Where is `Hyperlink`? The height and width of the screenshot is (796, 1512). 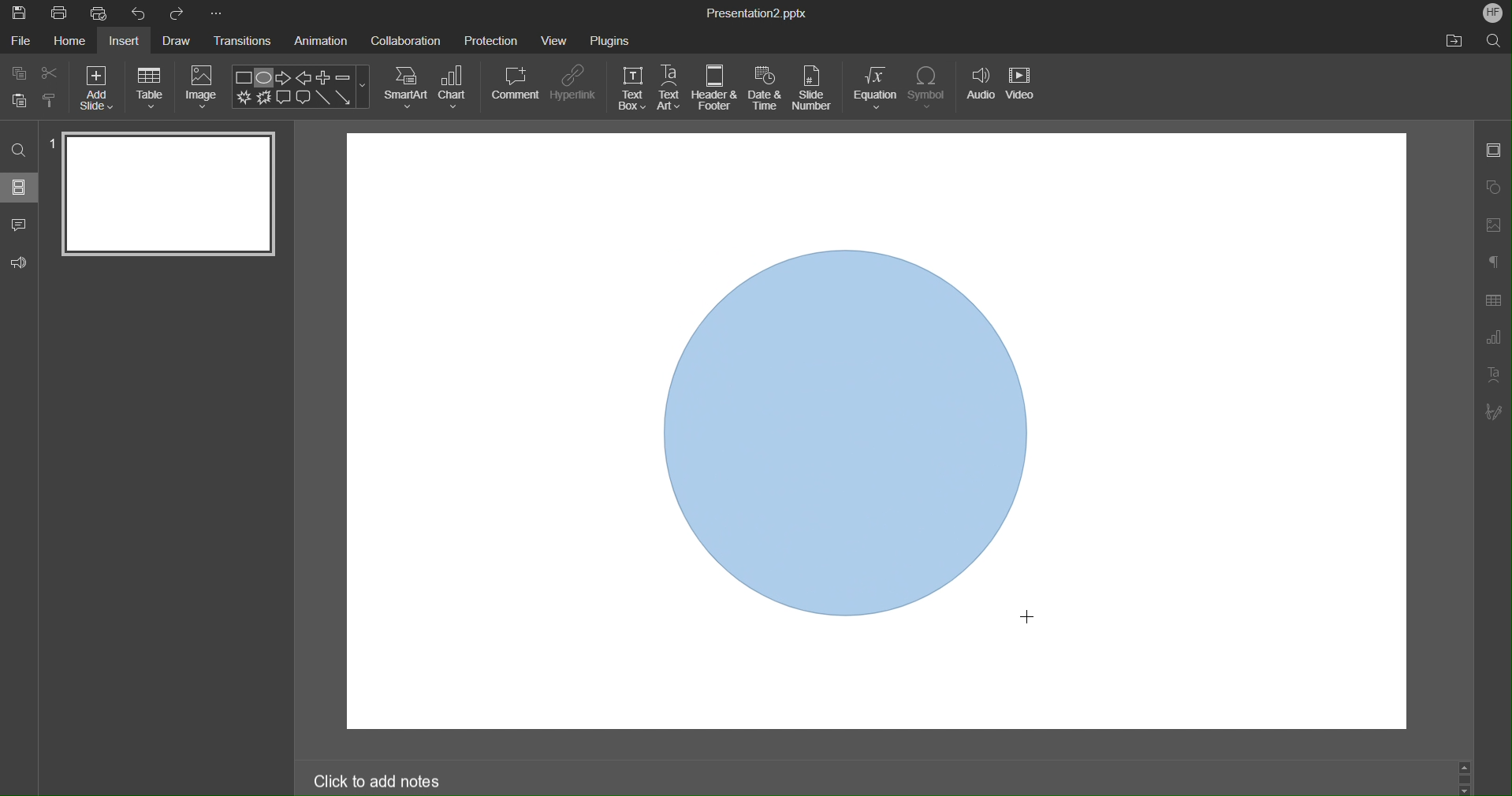 Hyperlink is located at coordinates (573, 84).